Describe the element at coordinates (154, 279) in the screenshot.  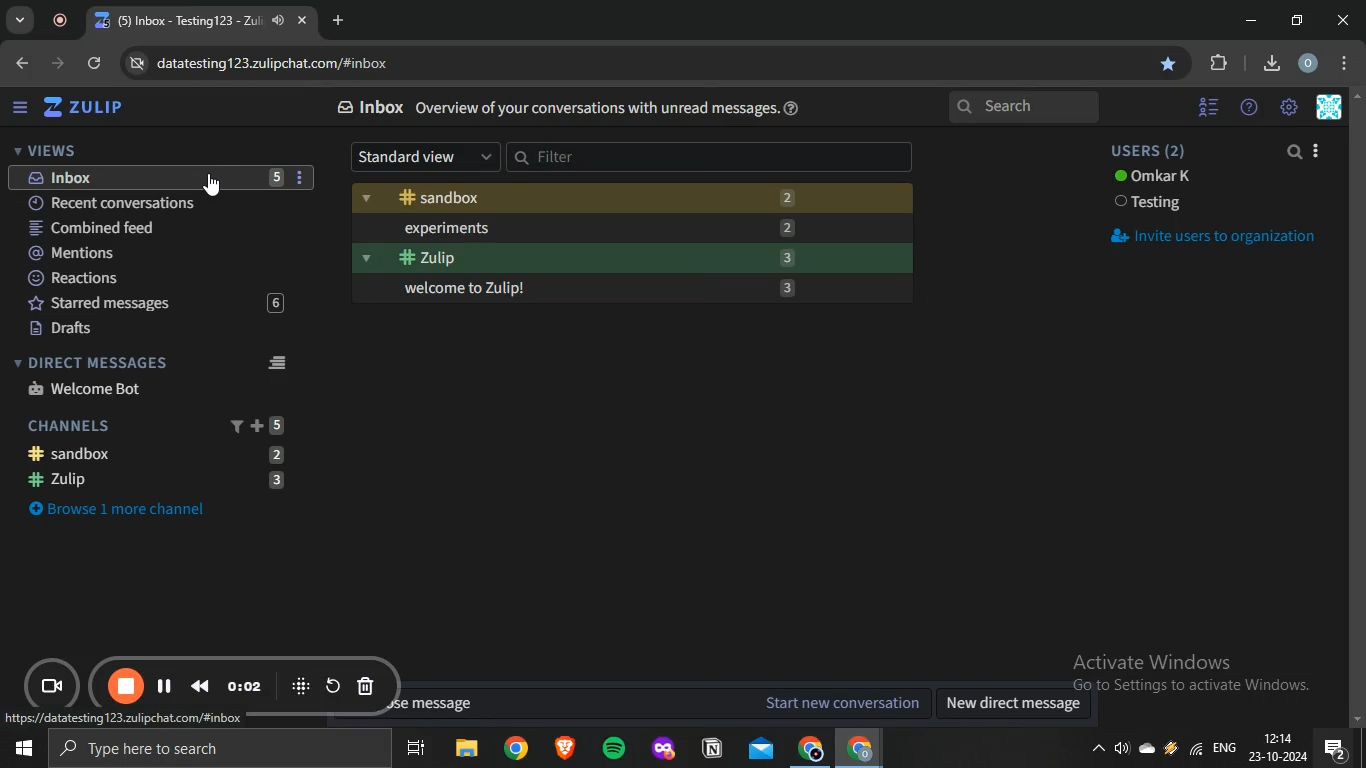
I see `reactions` at that location.